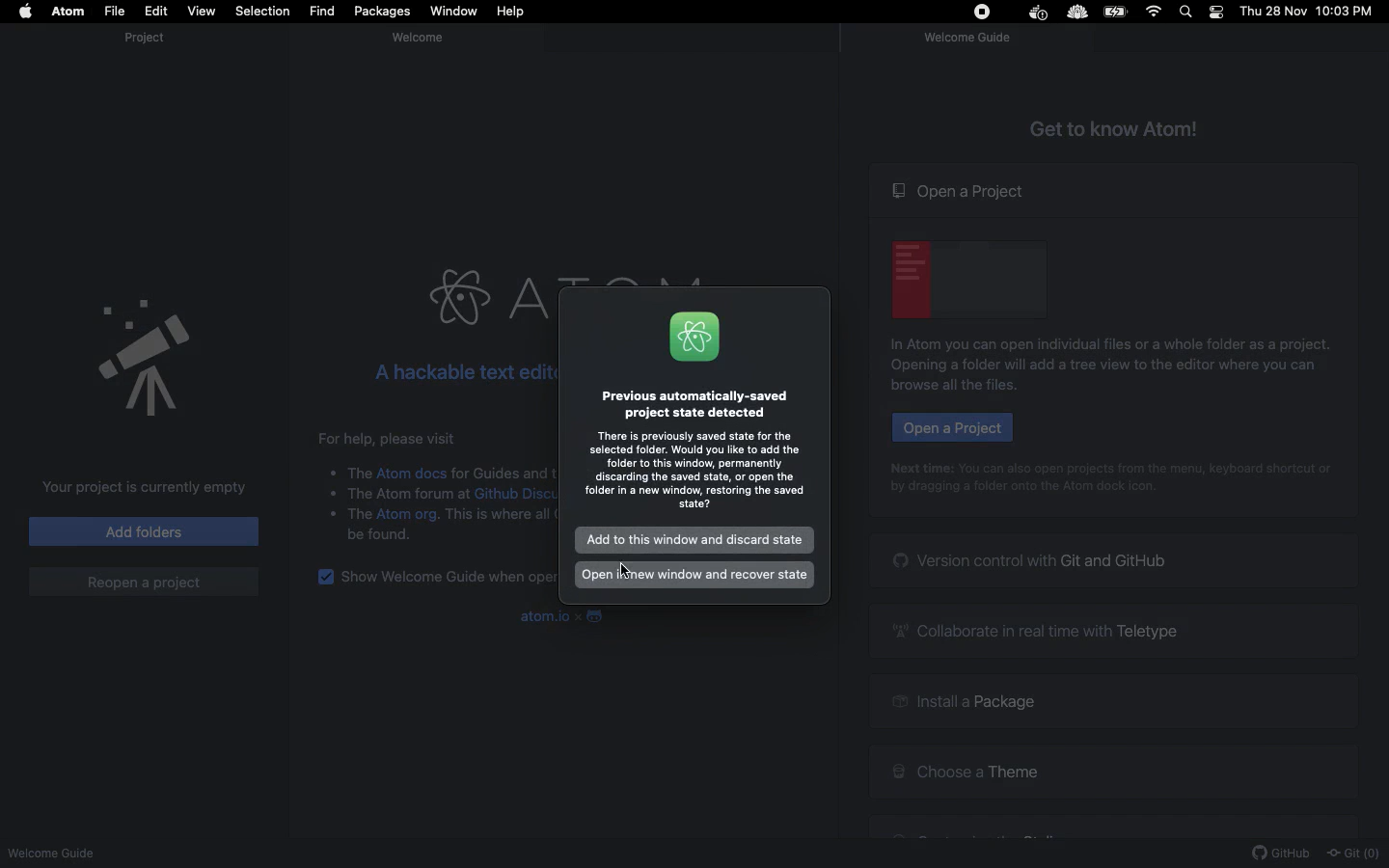  What do you see at coordinates (965, 769) in the screenshot?
I see `Choose a theme` at bounding box center [965, 769].